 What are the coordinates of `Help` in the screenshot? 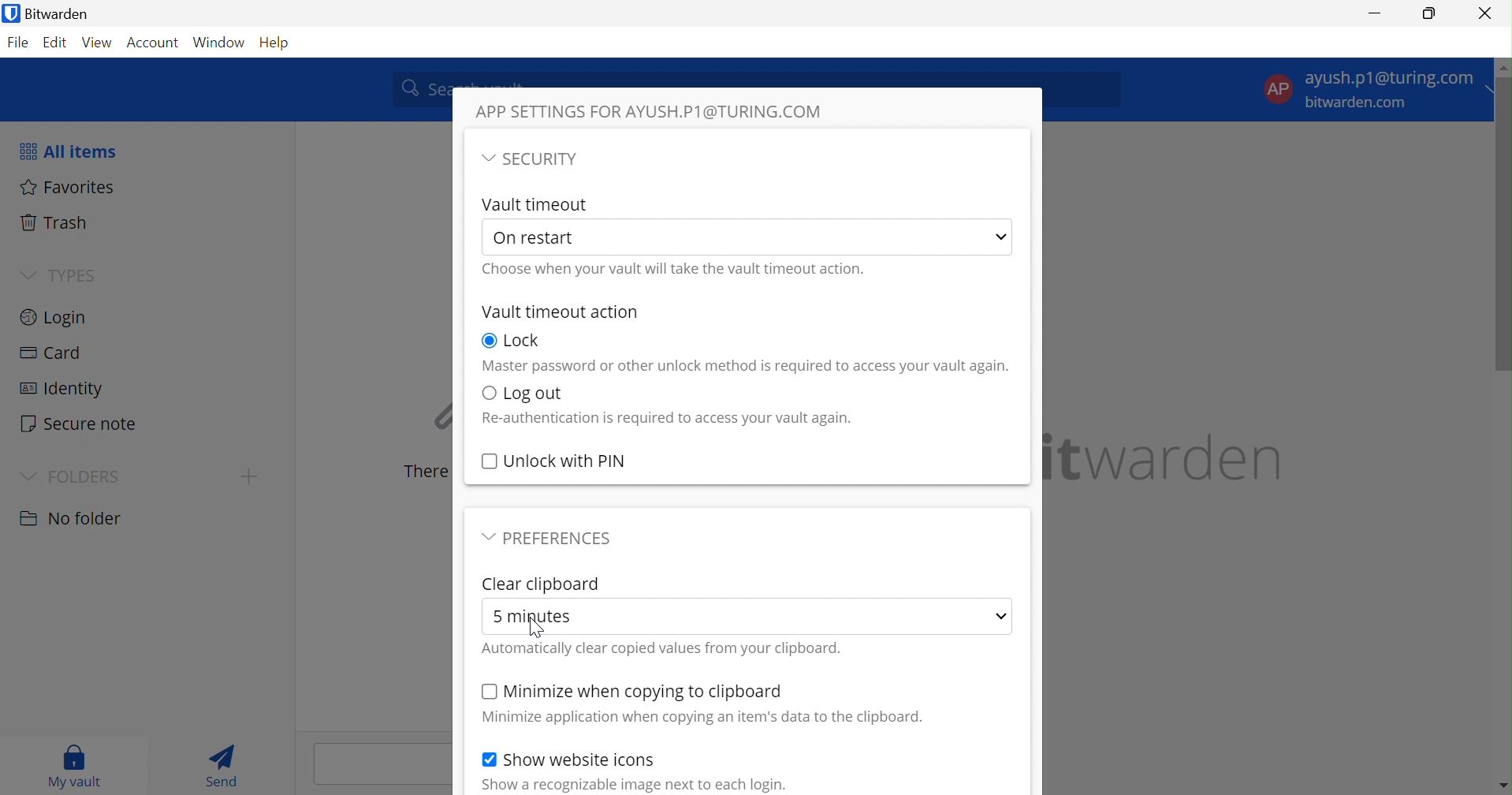 It's located at (275, 46).